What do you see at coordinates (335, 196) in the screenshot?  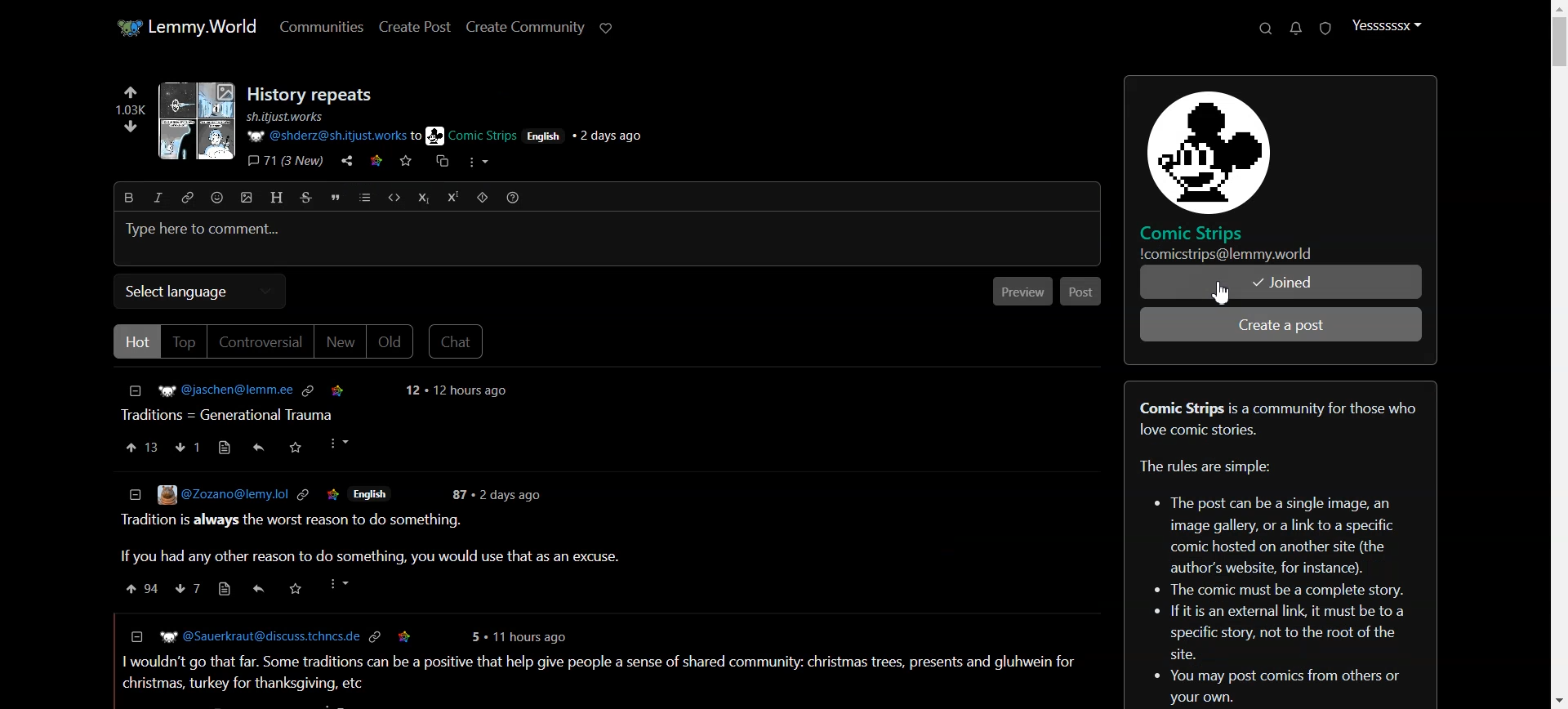 I see `Quote` at bounding box center [335, 196].